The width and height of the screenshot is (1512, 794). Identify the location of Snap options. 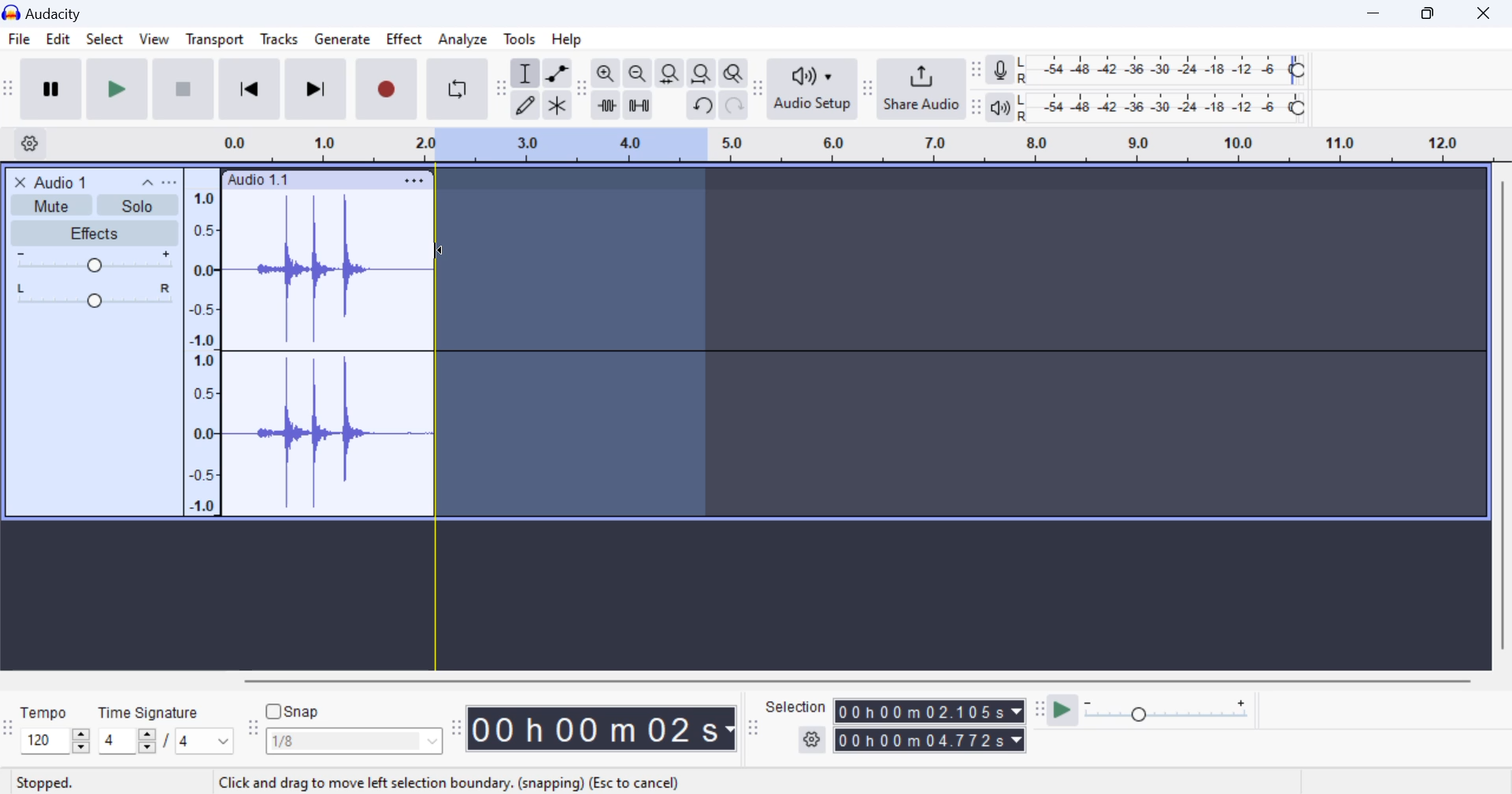
(356, 744).